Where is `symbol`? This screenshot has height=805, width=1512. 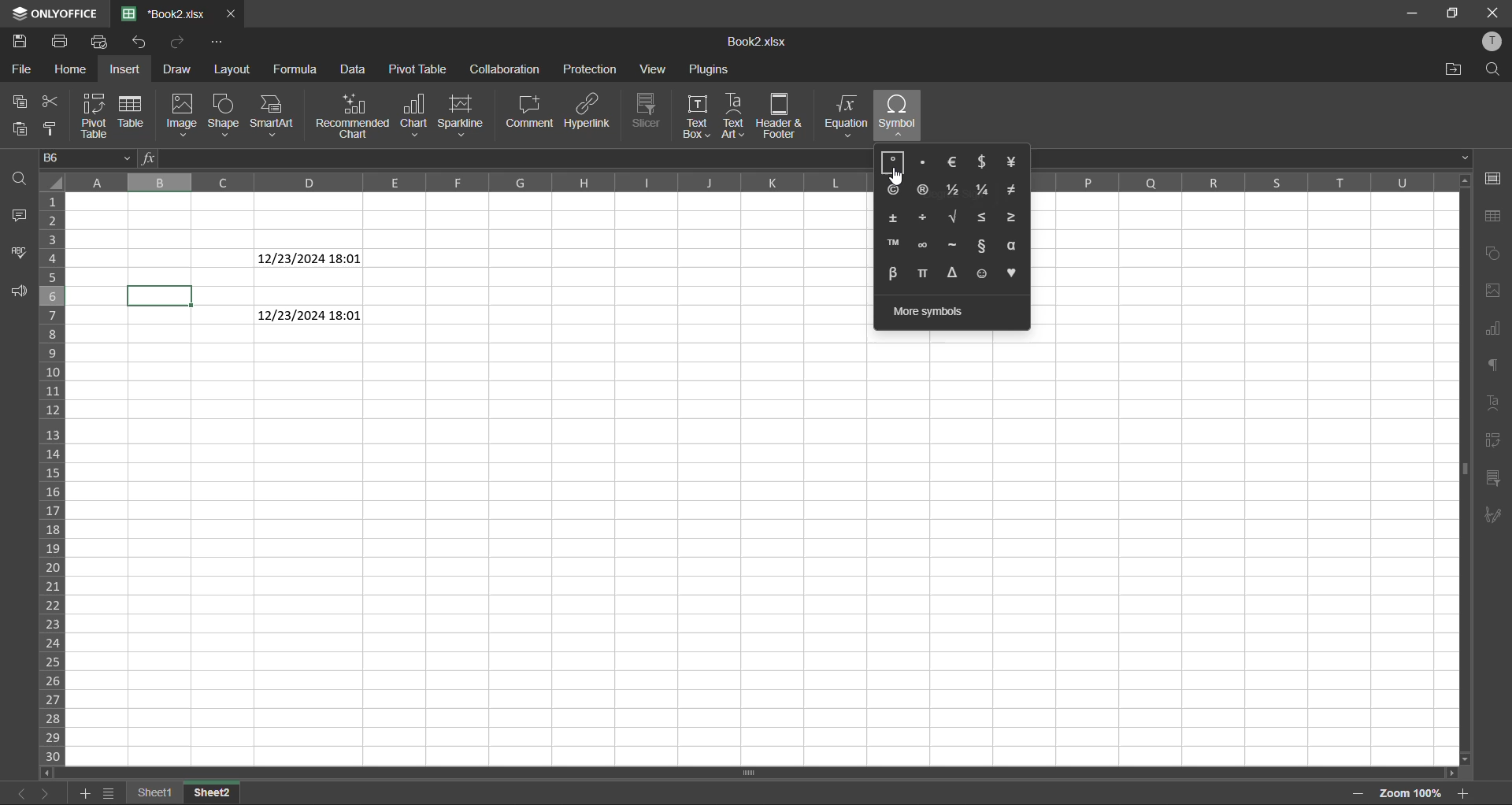 symbol is located at coordinates (898, 116).